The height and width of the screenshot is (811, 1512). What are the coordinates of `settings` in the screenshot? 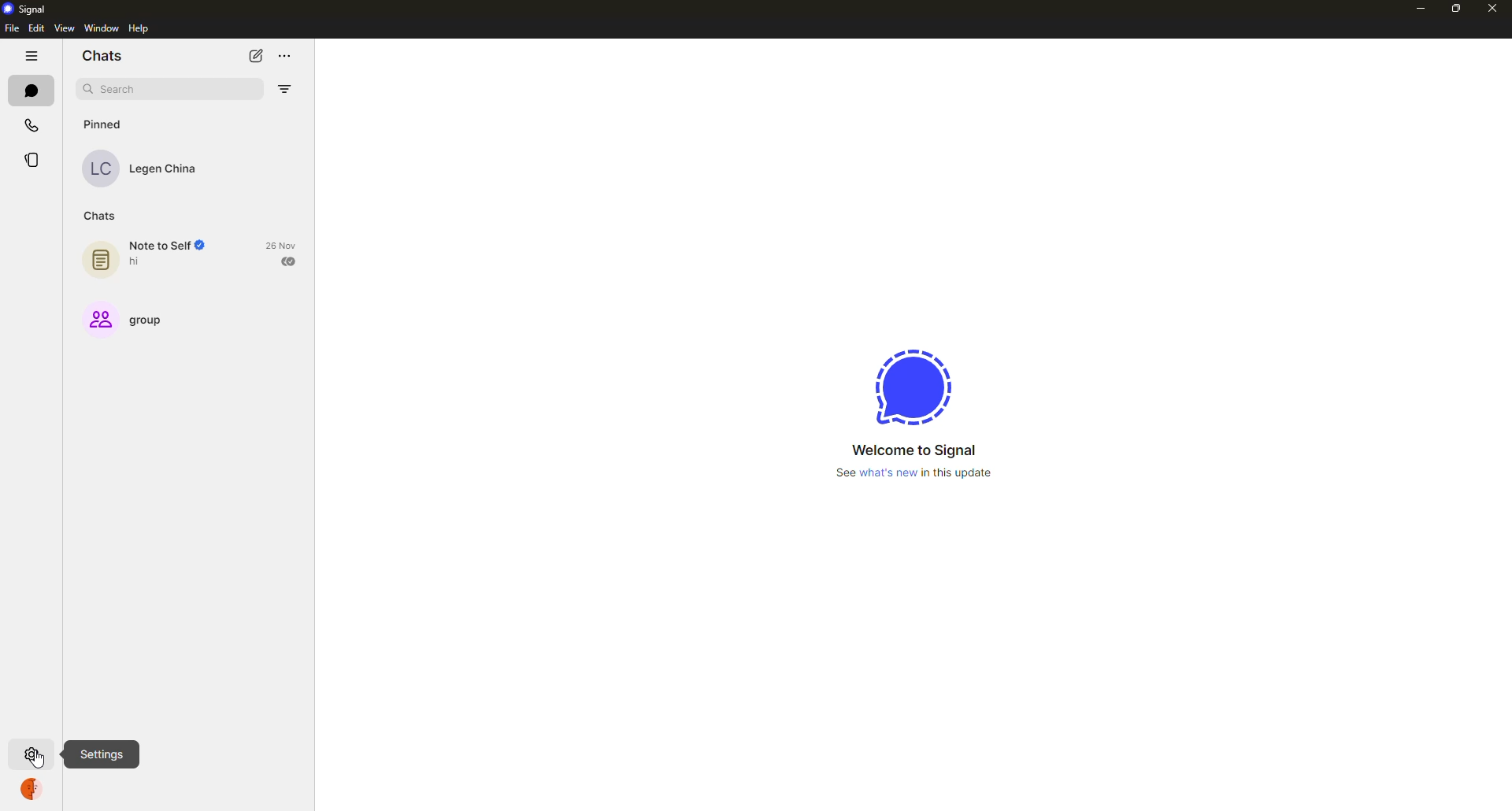 It's located at (33, 754).